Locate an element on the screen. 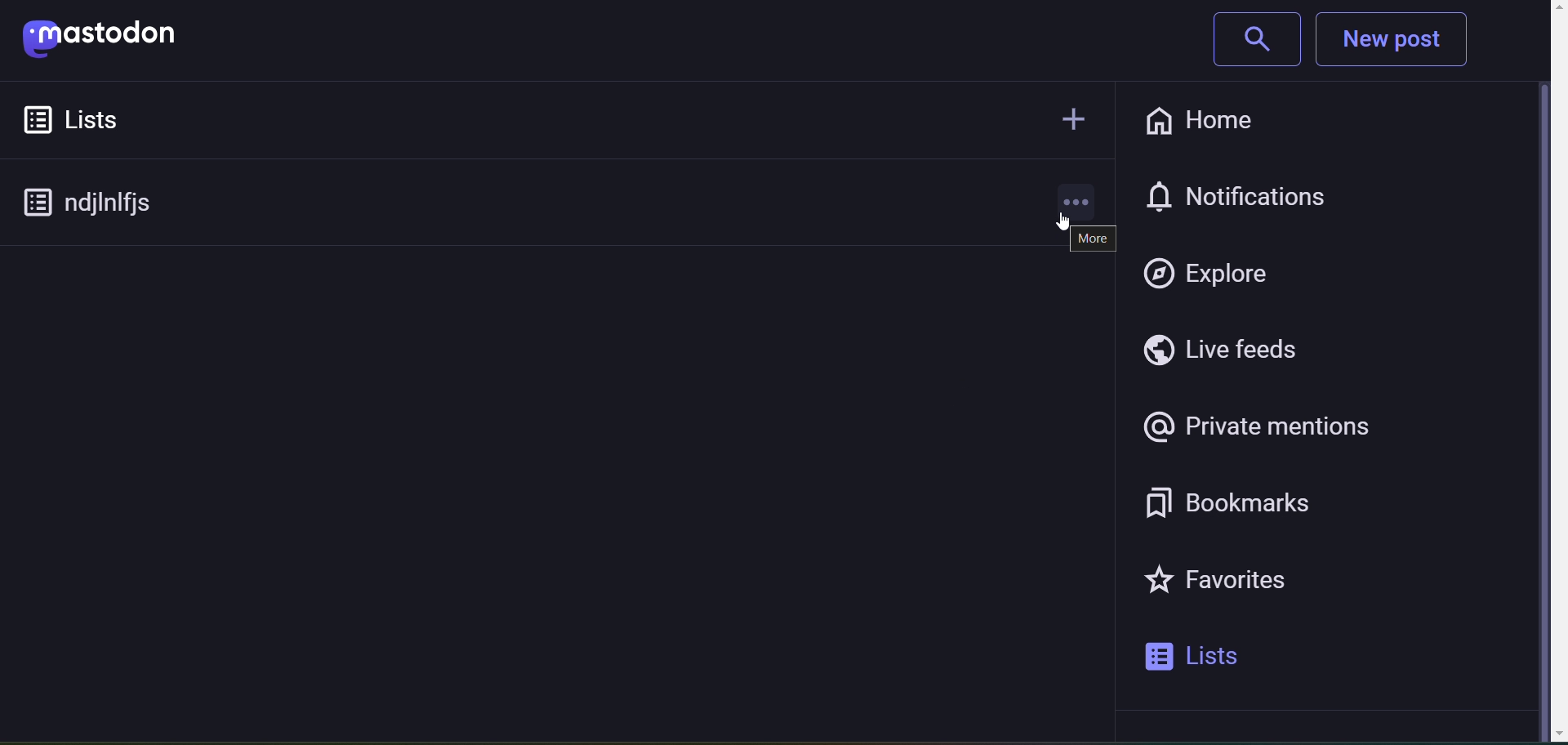  scroll bar is located at coordinates (1542, 377).